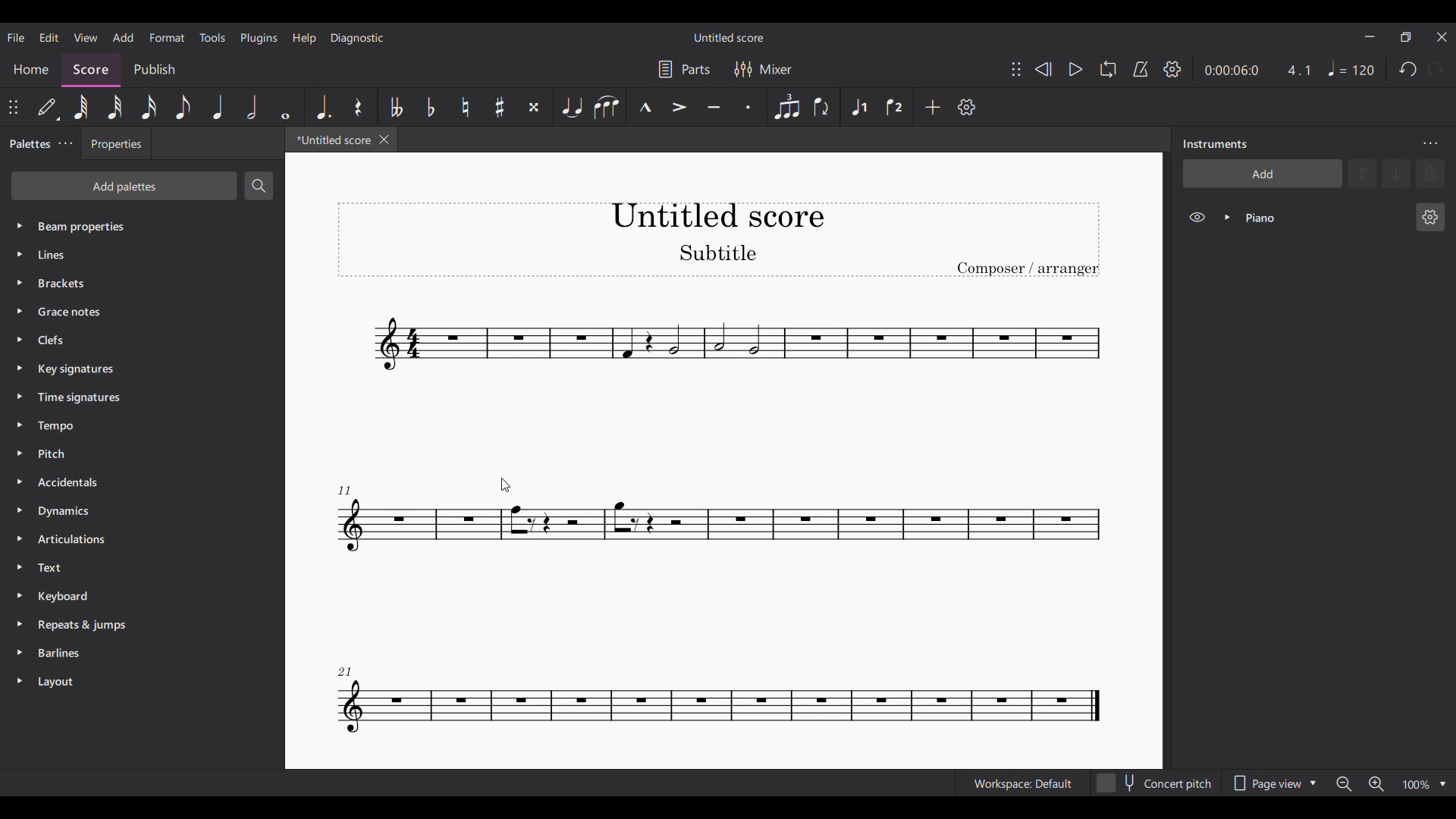 The image size is (1456, 819). Describe the element at coordinates (396, 107) in the screenshot. I see `Toggle double flat` at that location.